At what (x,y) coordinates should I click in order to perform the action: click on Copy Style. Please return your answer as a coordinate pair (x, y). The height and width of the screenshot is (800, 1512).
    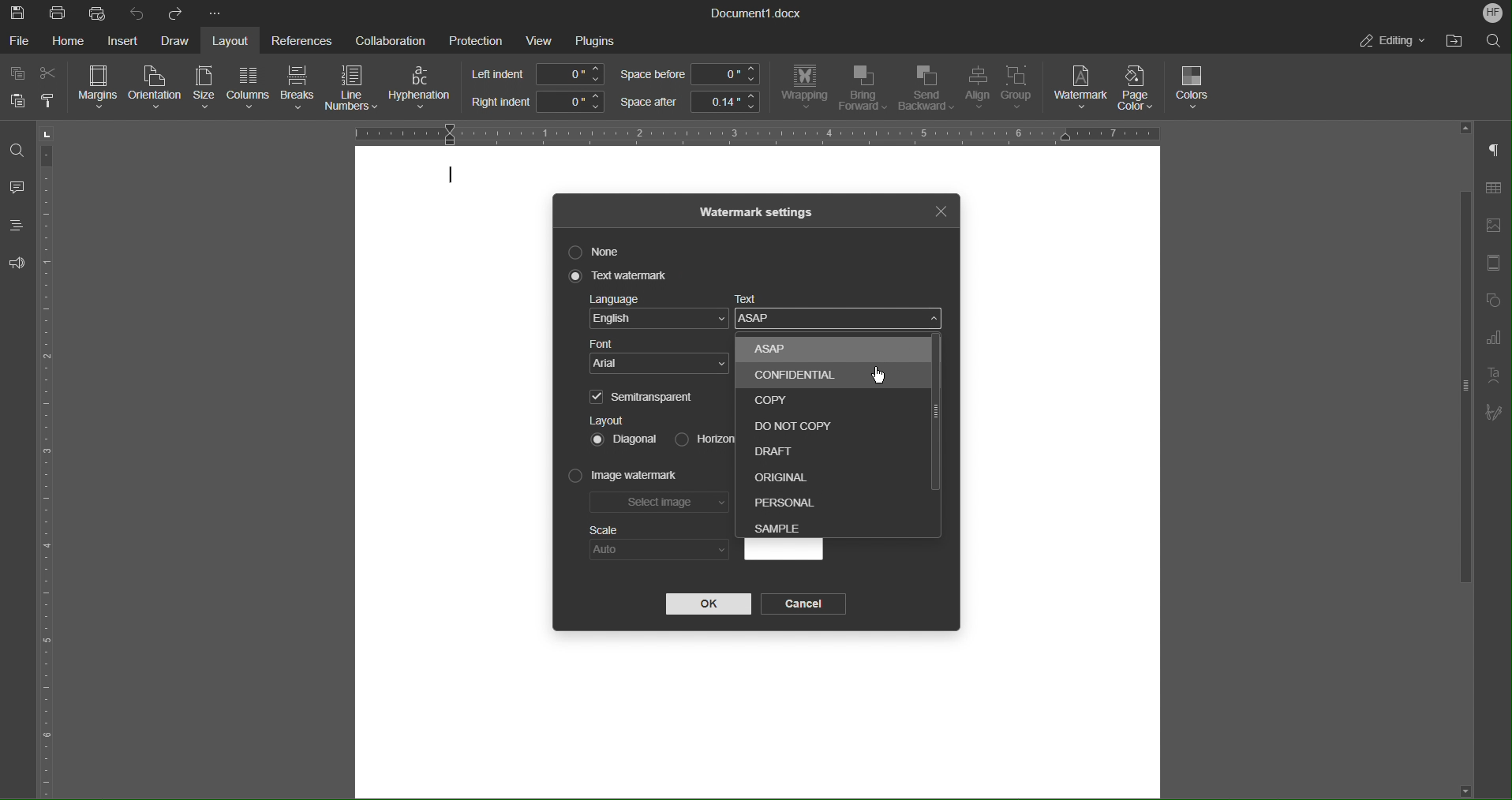
    Looking at the image, I should click on (50, 101).